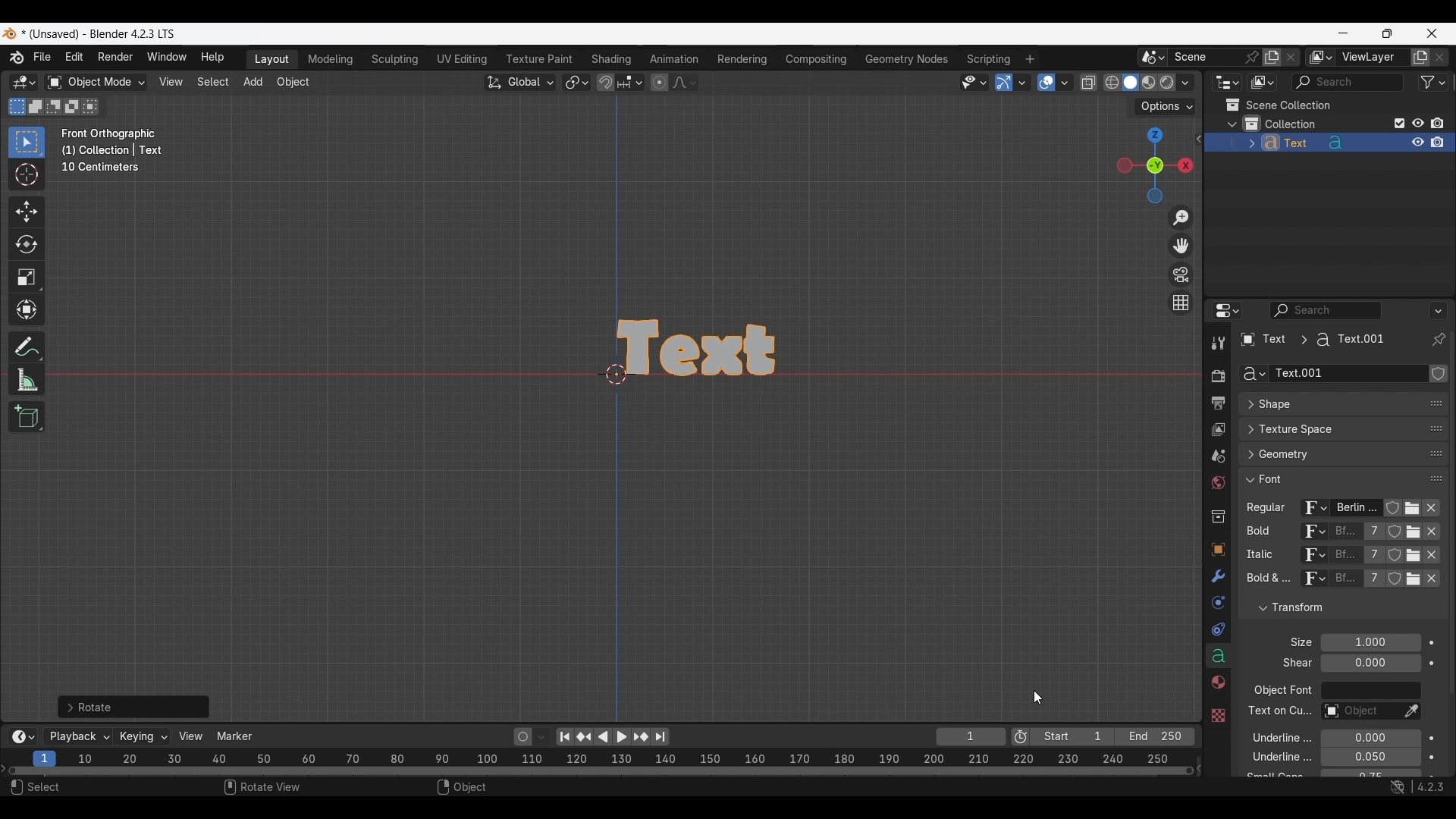 The image size is (1456, 819). Describe the element at coordinates (27, 278) in the screenshot. I see `Scale` at that location.